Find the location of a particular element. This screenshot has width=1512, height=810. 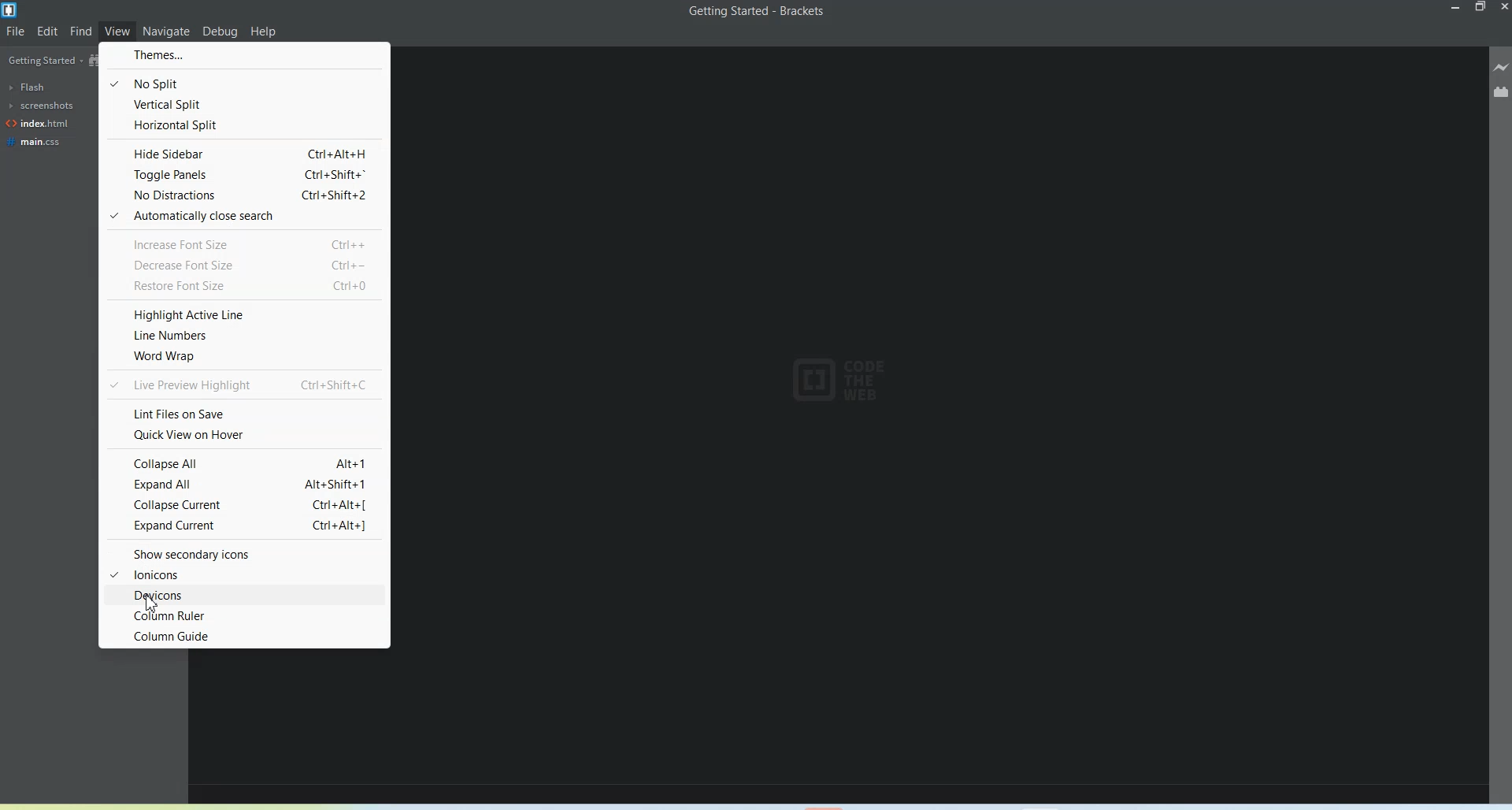

Word Wrap is located at coordinates (243, 355).